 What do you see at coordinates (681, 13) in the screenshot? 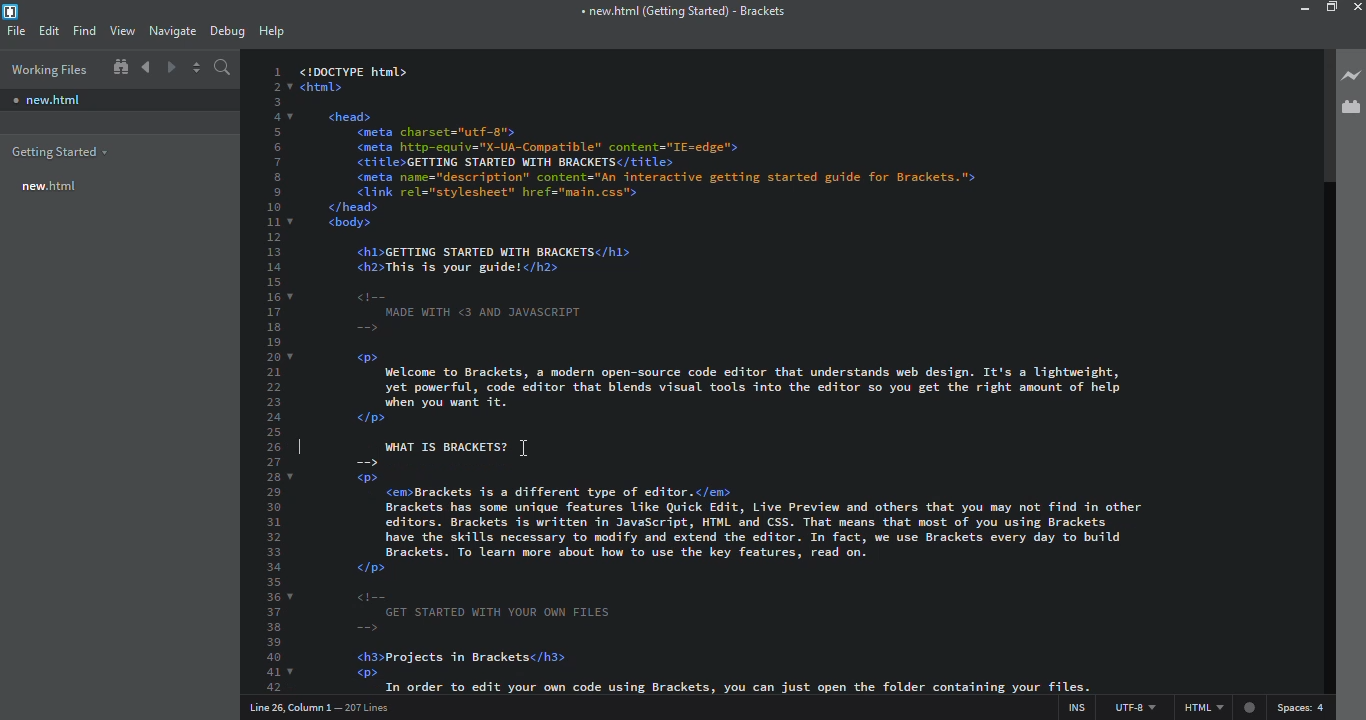
I see `brackets` at bounding box center [681, 13].